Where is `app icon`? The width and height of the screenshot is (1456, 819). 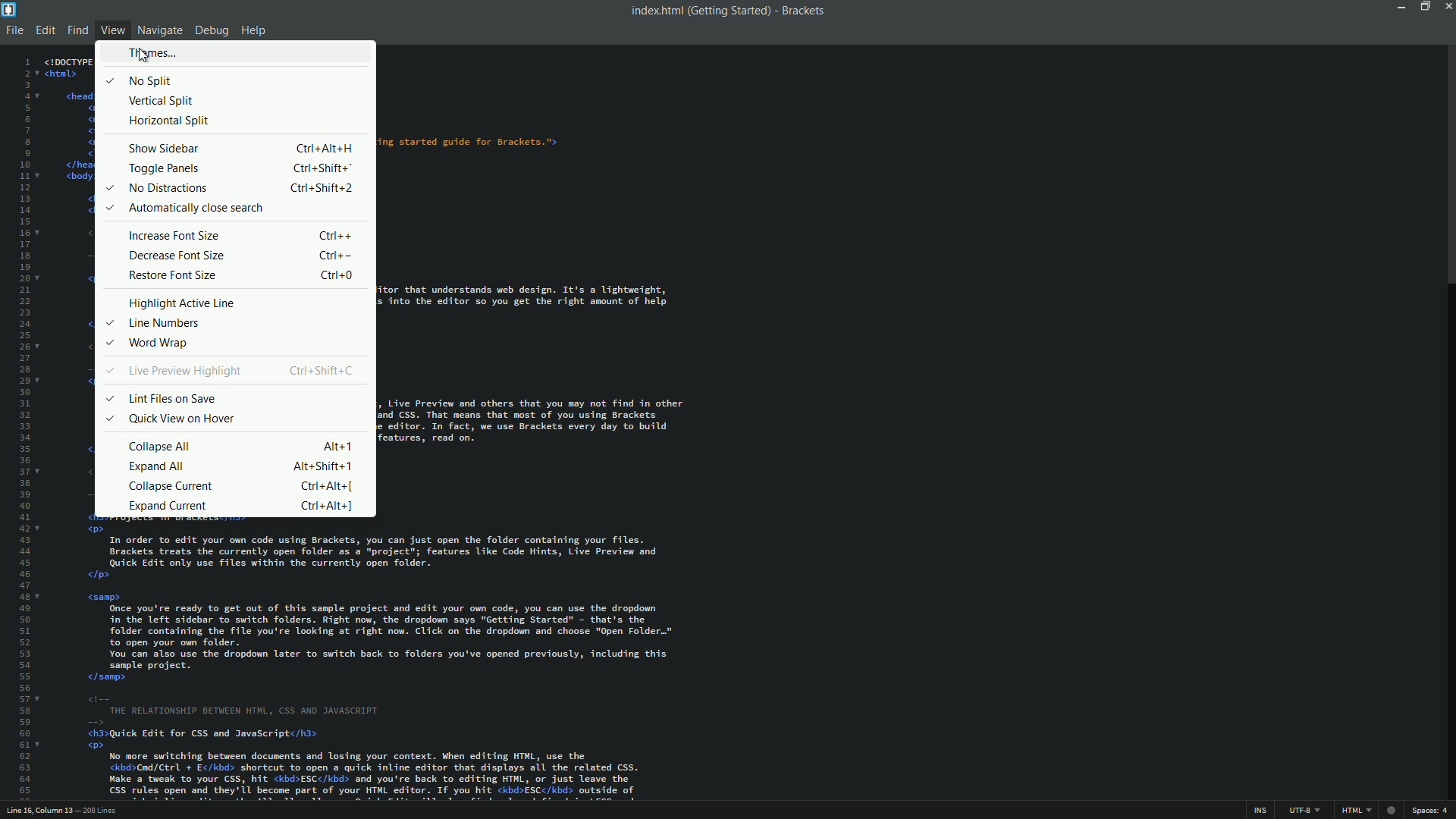
app icon is located at coordinates (9, 8).